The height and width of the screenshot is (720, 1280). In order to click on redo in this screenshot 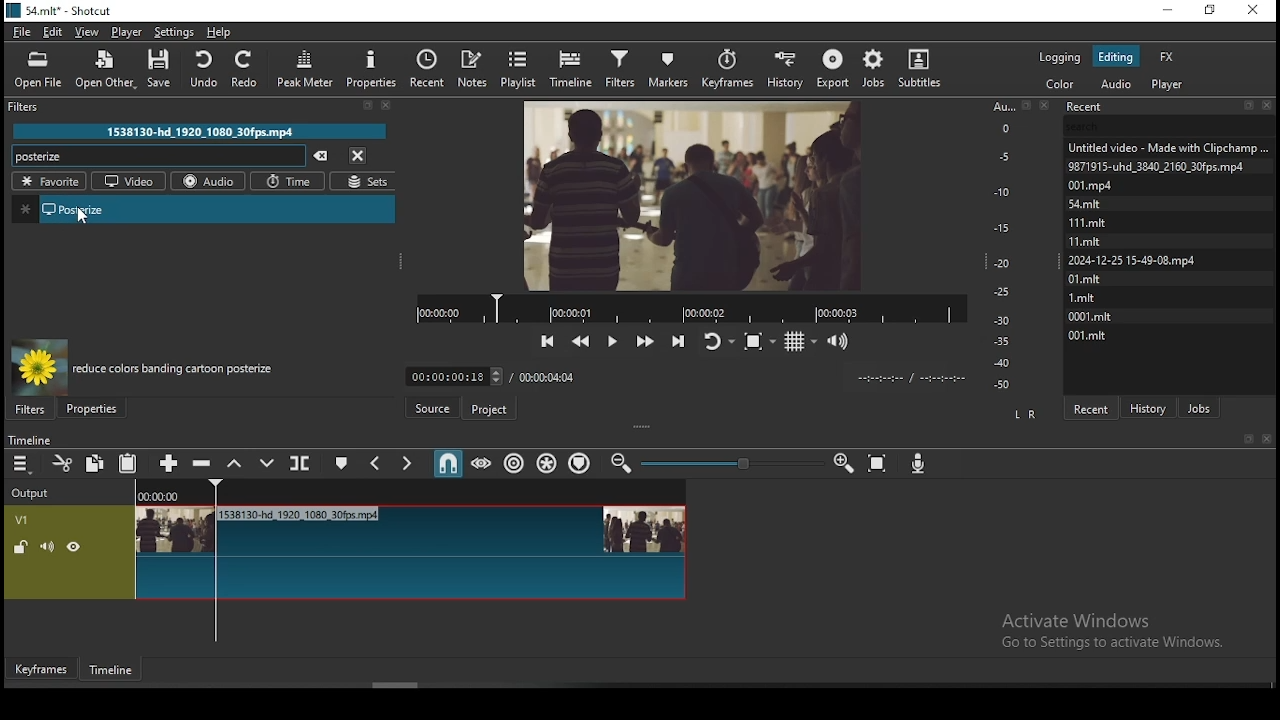, I will do `click(246, 71)`.